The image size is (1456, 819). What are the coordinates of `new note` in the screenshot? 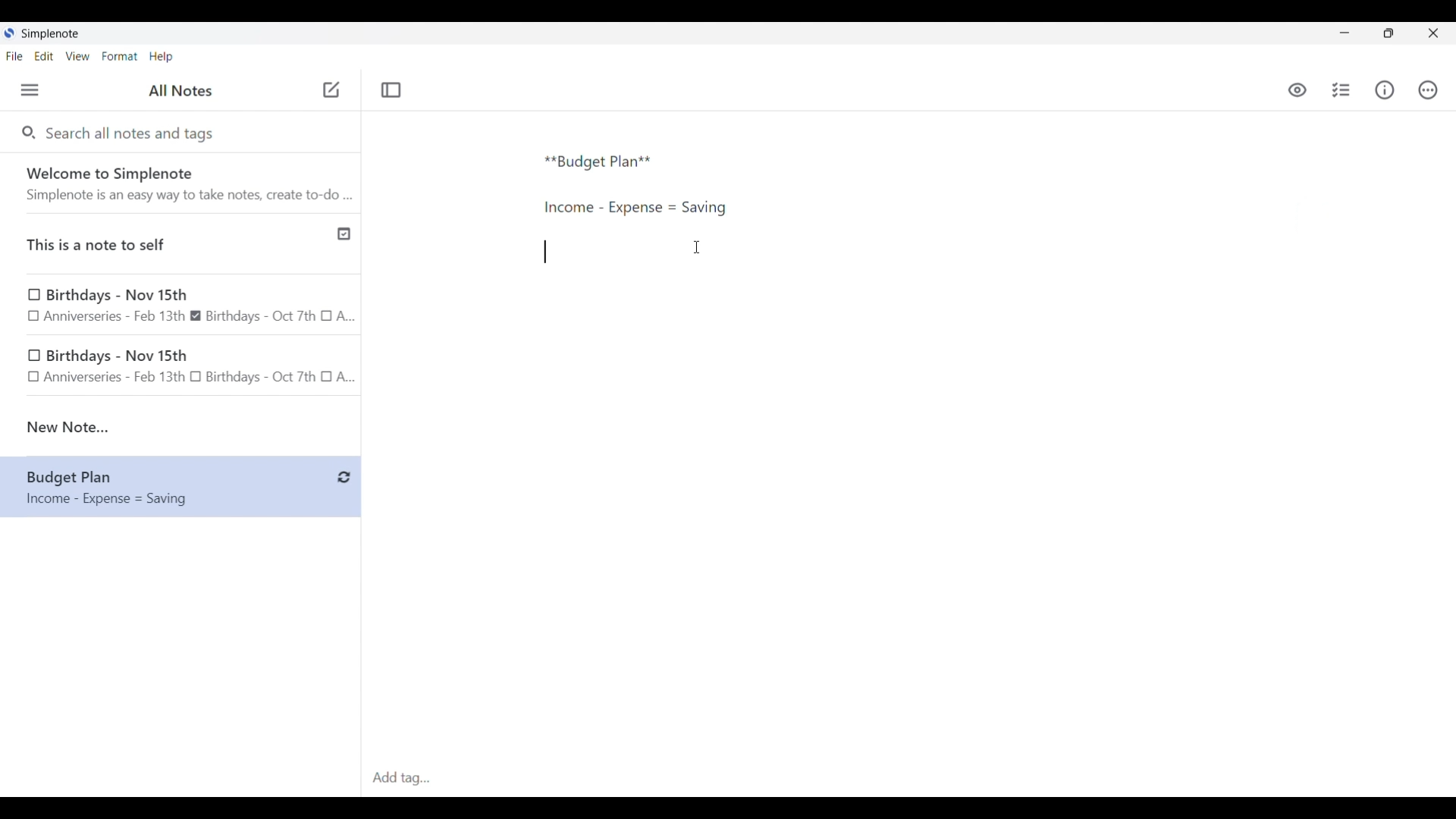 It's located at (180, 427).